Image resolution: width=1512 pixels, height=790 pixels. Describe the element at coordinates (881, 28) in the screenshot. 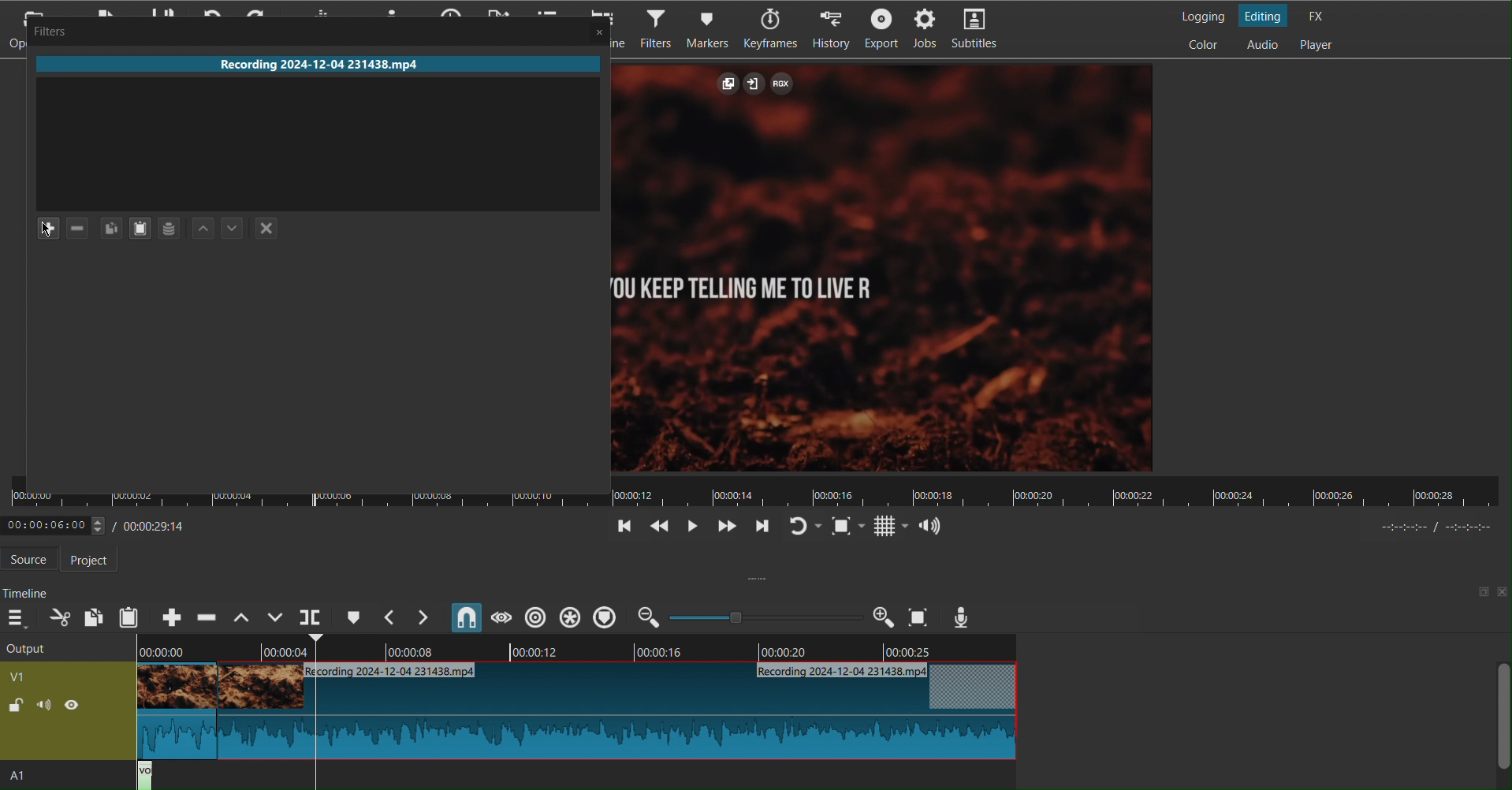

I see `Export` at that location.